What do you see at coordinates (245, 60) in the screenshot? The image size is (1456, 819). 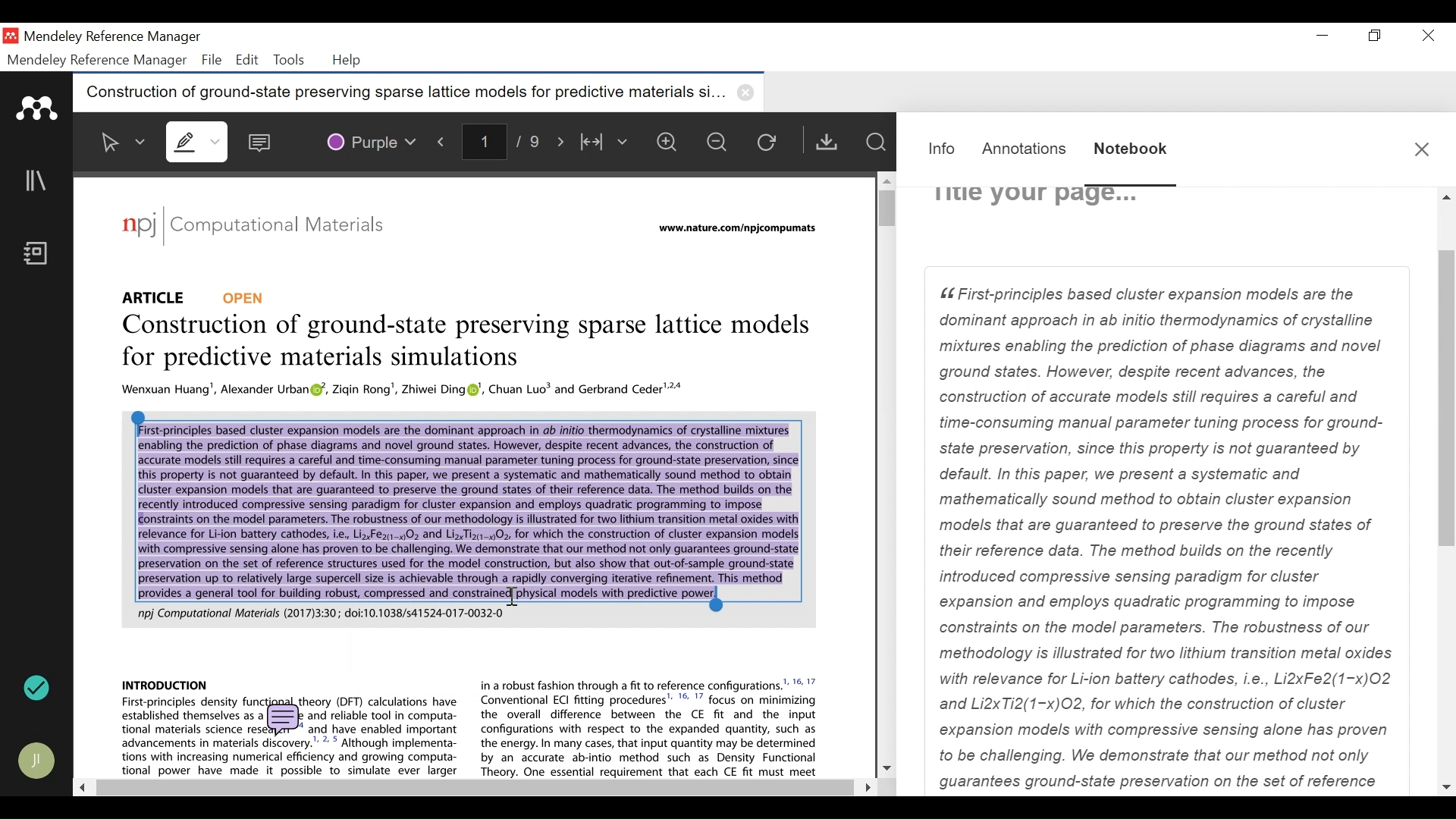 I see `Edit` at bounding box center [245, 60].